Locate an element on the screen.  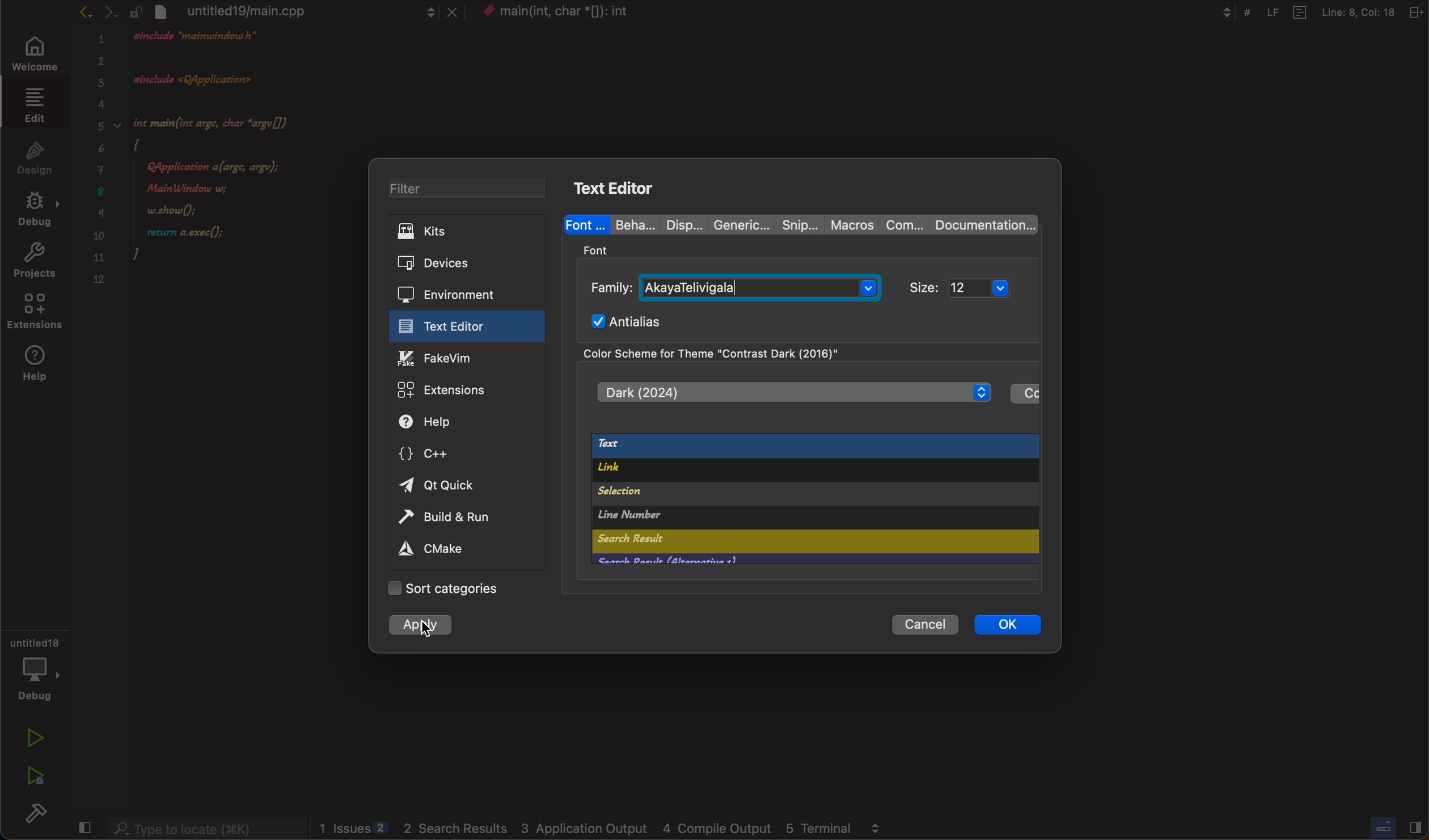
ok is located at coordinates (1006, 624).